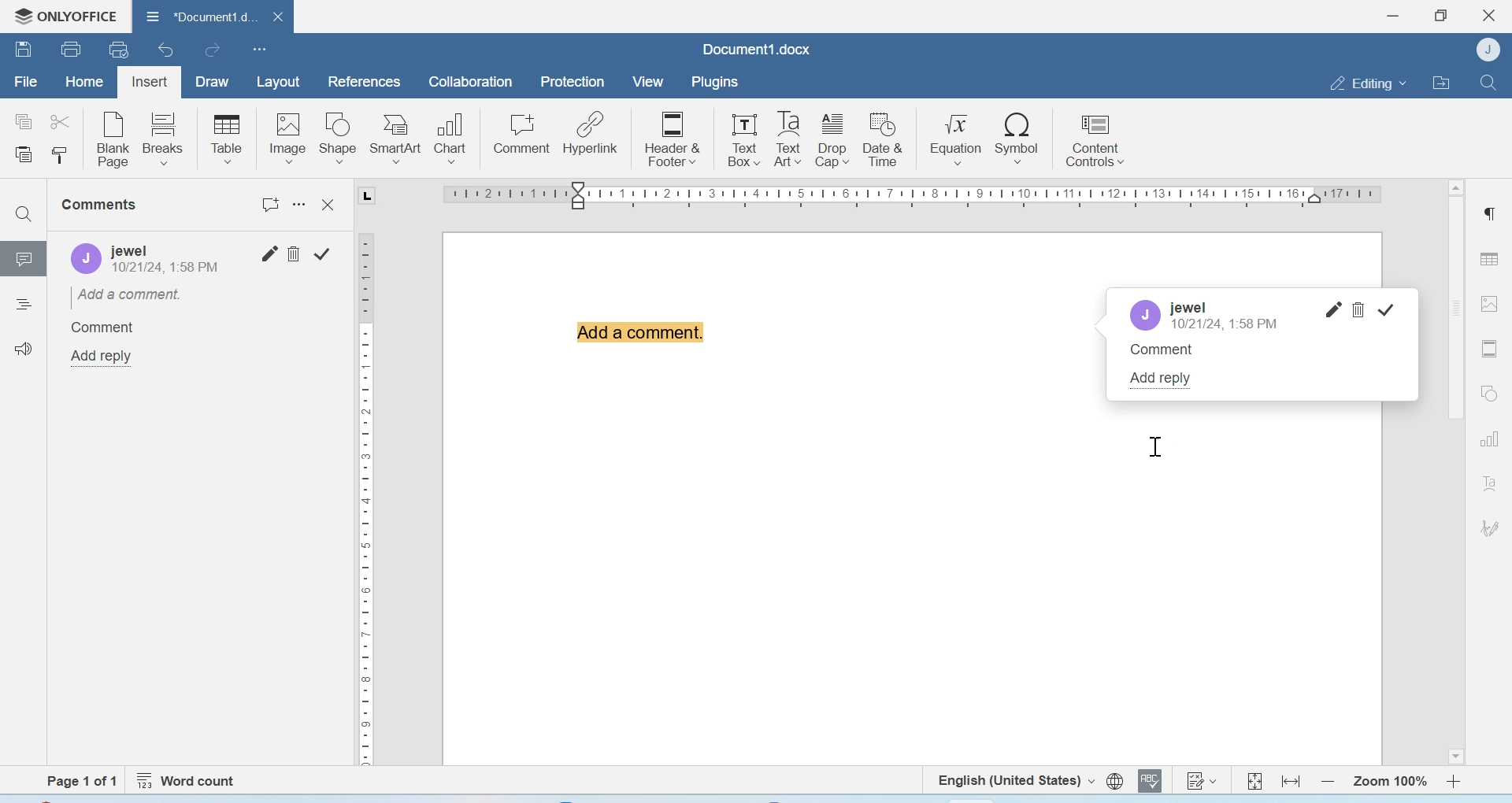 This screenshot has height=803, width=1512. I want to click on Collaboration, so click(471, 82).